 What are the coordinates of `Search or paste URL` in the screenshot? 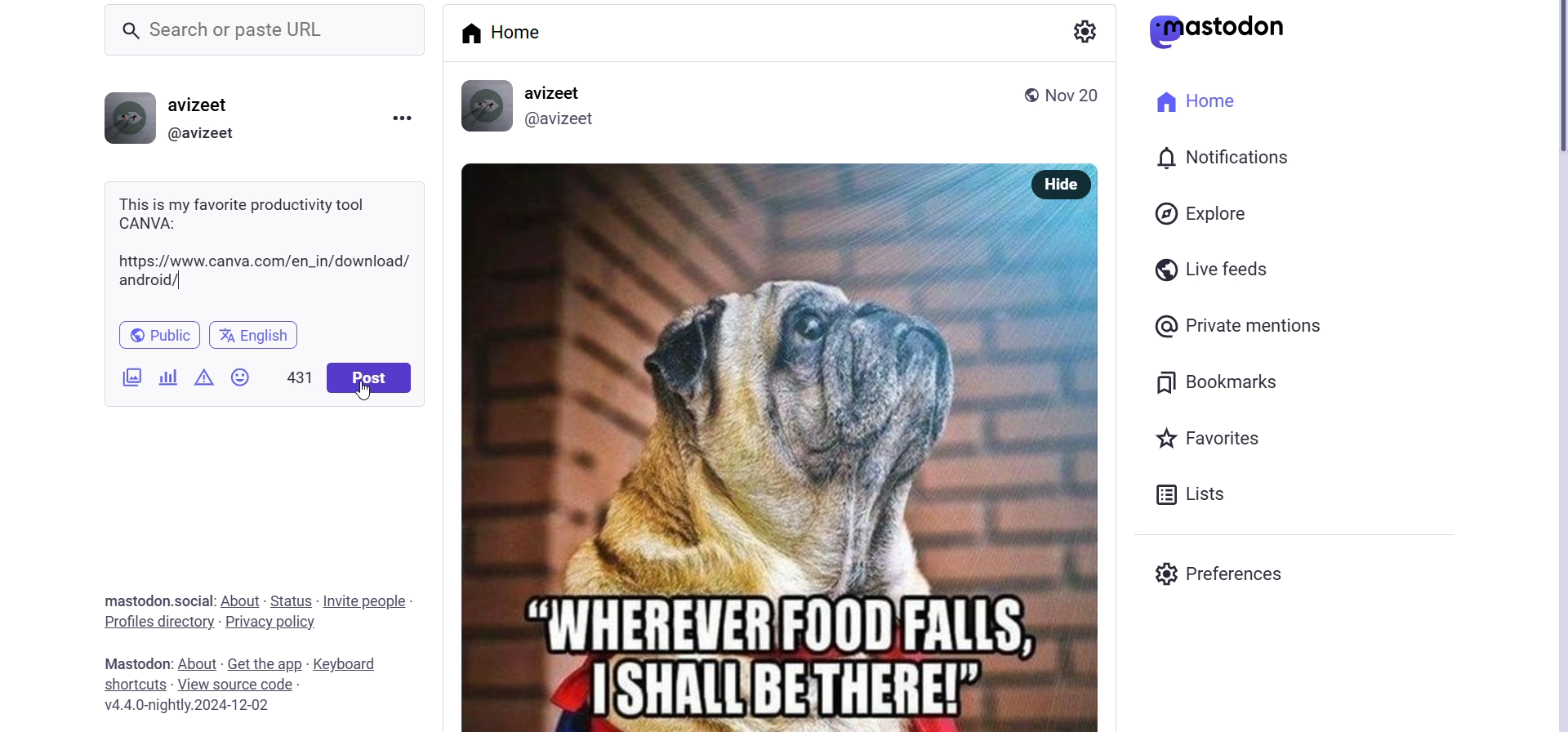 It's located at (273, 29).